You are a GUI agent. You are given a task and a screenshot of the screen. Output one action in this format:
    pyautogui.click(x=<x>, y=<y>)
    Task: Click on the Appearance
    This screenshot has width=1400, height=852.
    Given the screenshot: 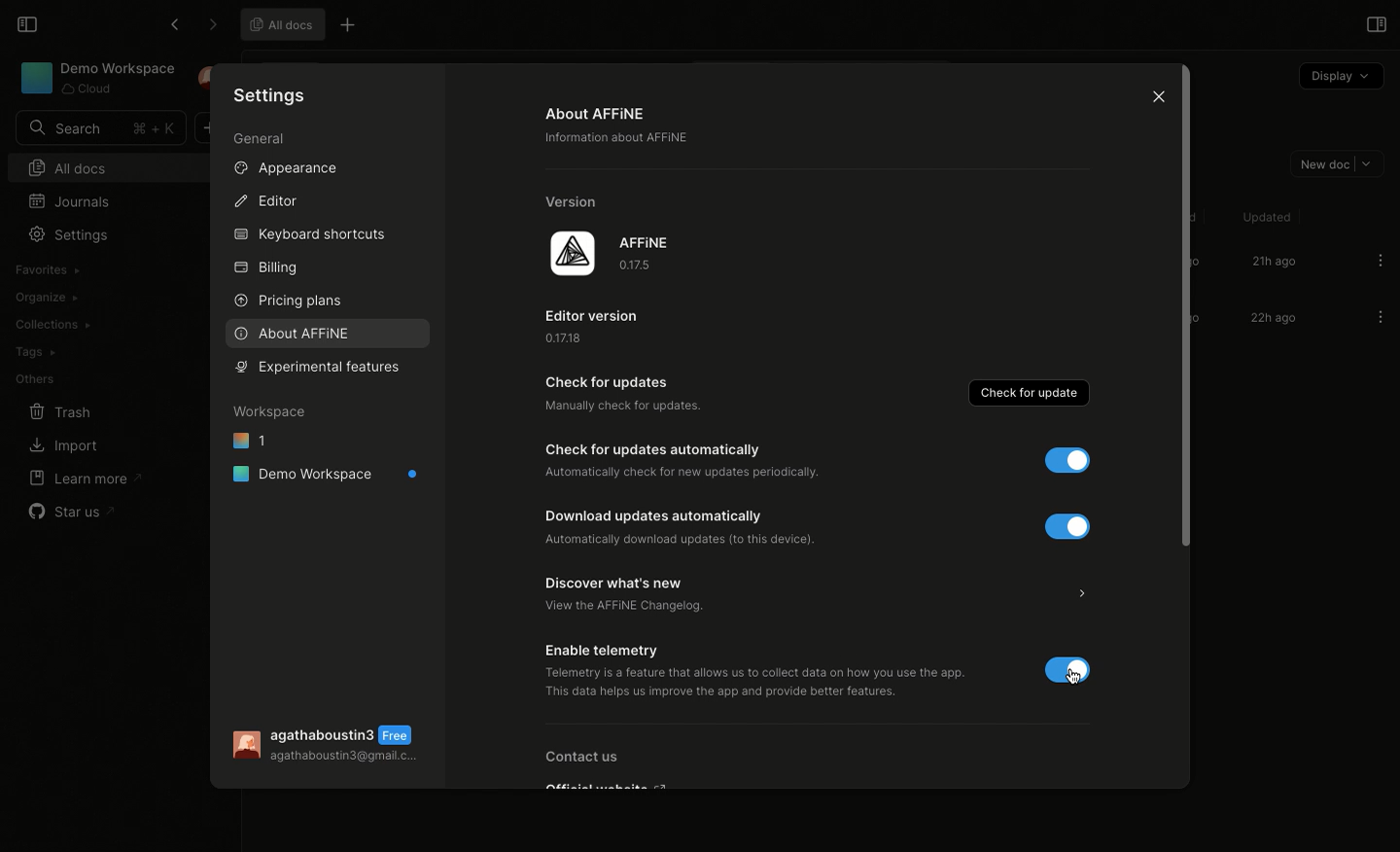 What is the action you would take?
    pyautogui.click(x=283, y=167)
    